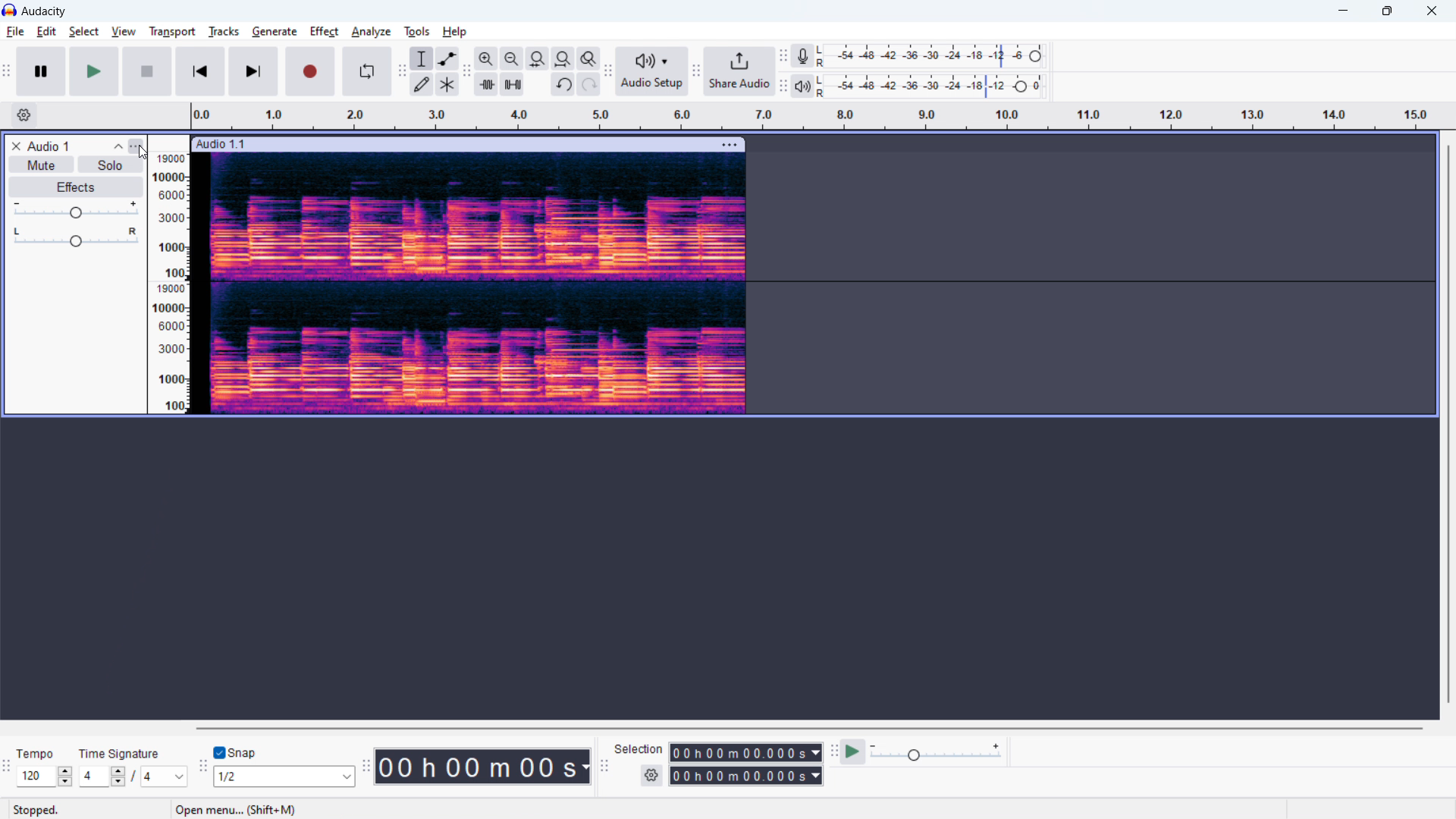 This screenshot has width=1456, height=819. I want to click on envelop tool, so click(447, 59).